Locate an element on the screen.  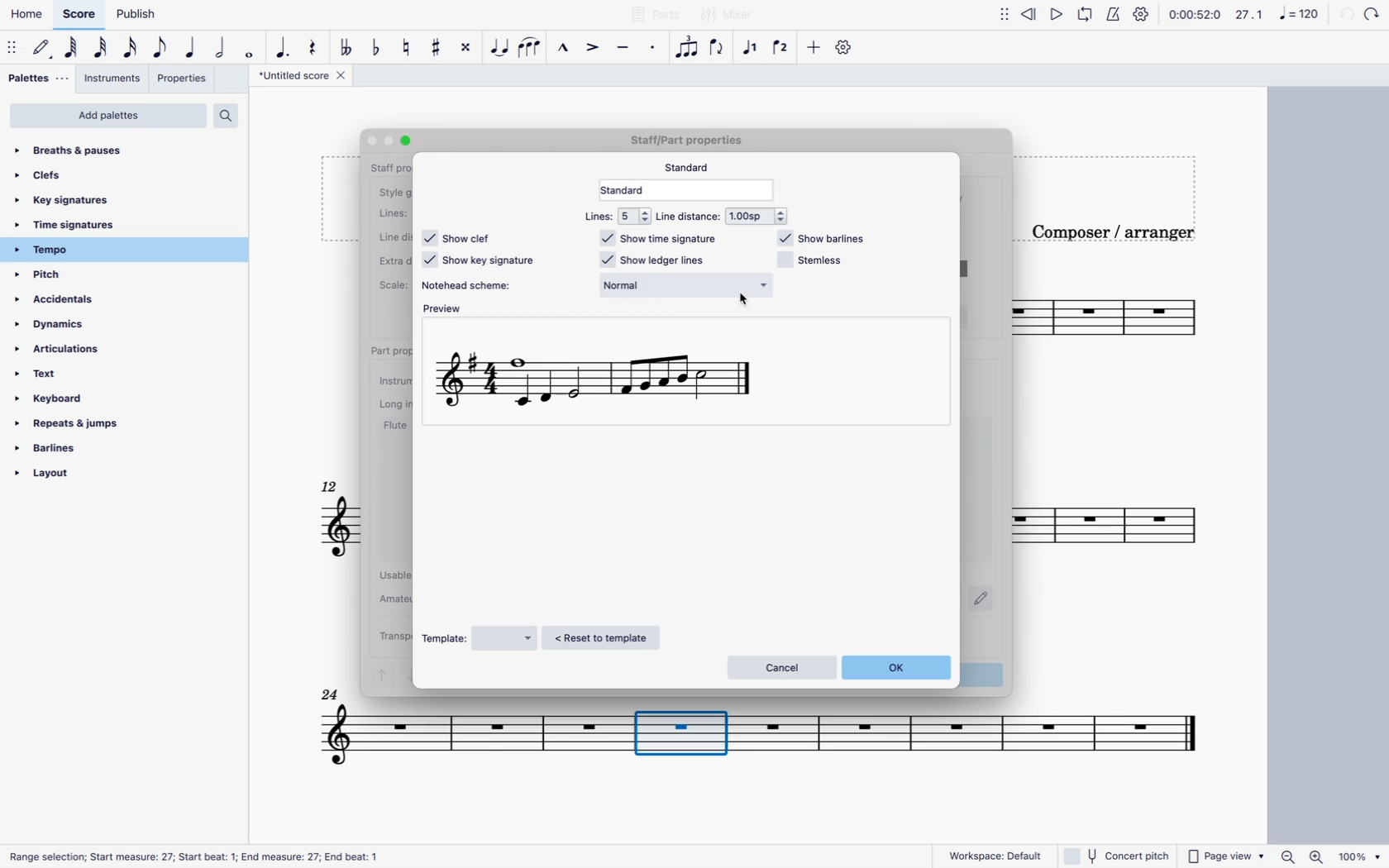
quarter note is located at coordinates (192, 46).